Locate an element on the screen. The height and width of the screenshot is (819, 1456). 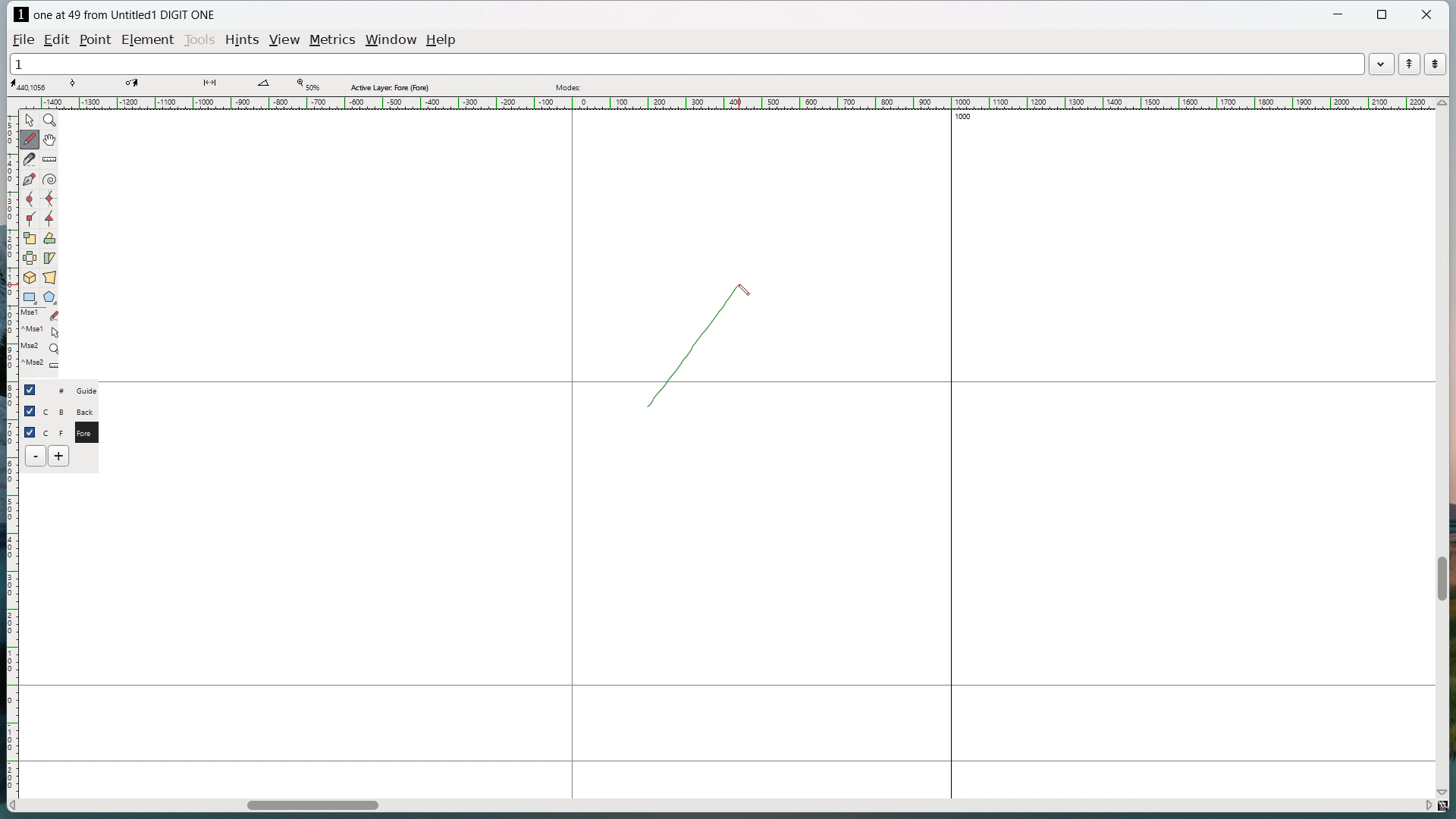
scroll by hand is located at coordinates (52, 139).